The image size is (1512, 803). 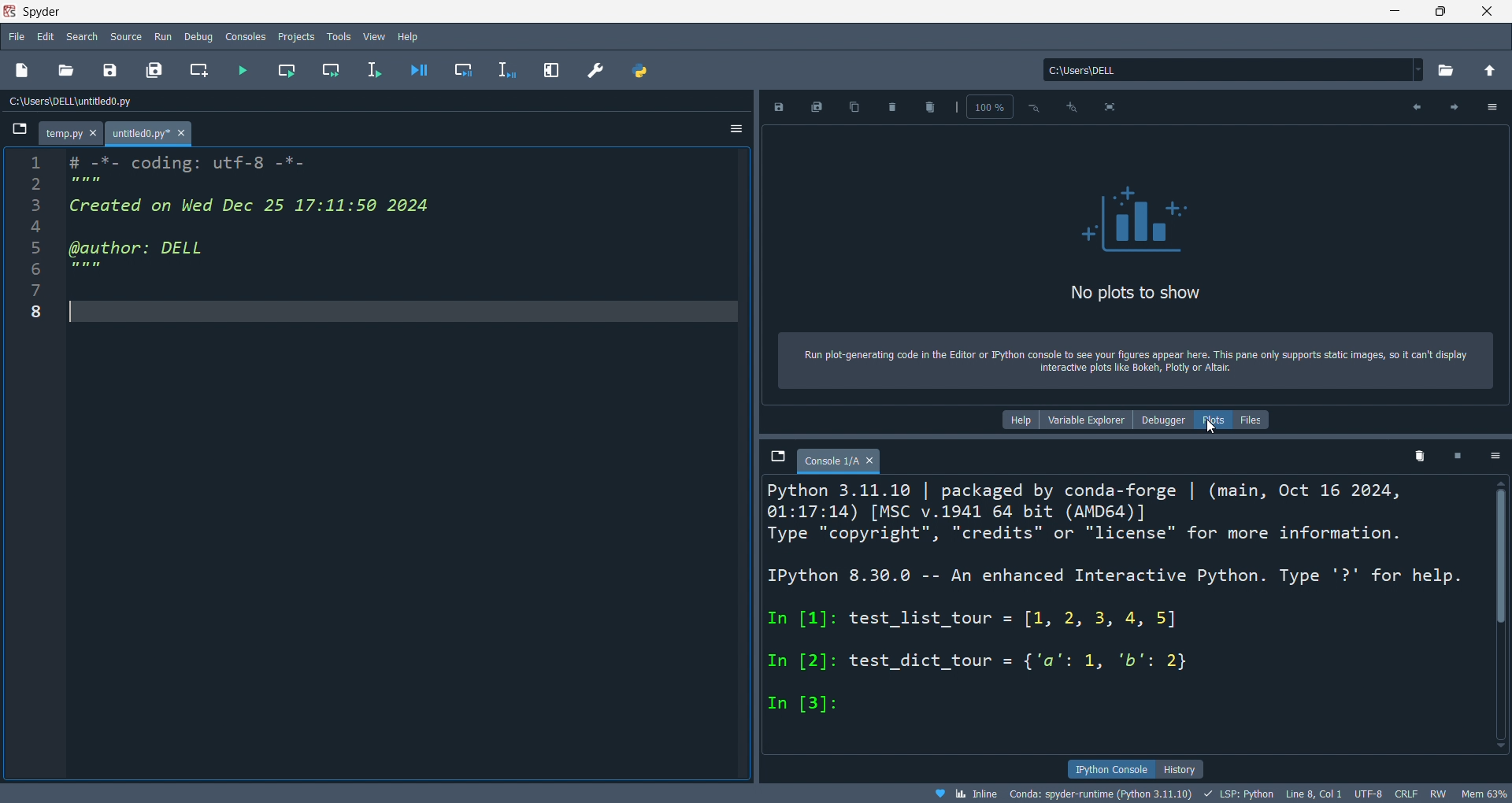 What do you see at coordinates (1501, 556) in the screenshot?
I see `scrollbar` at bounding box center [1501, 556].